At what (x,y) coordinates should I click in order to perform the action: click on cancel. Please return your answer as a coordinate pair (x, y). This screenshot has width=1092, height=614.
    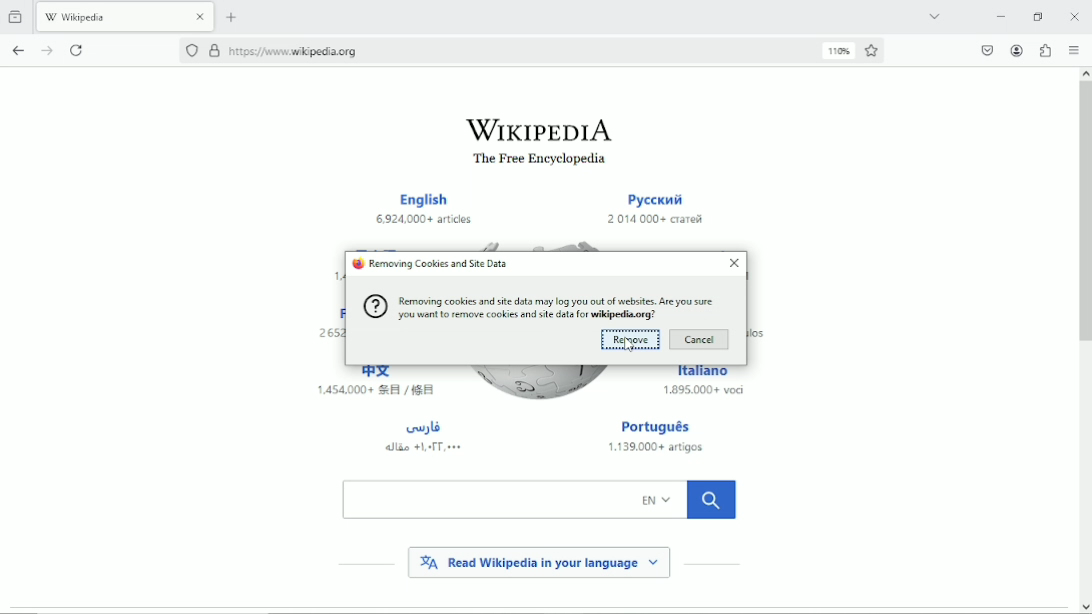
    Looking at the image, I should click on (701, 340).